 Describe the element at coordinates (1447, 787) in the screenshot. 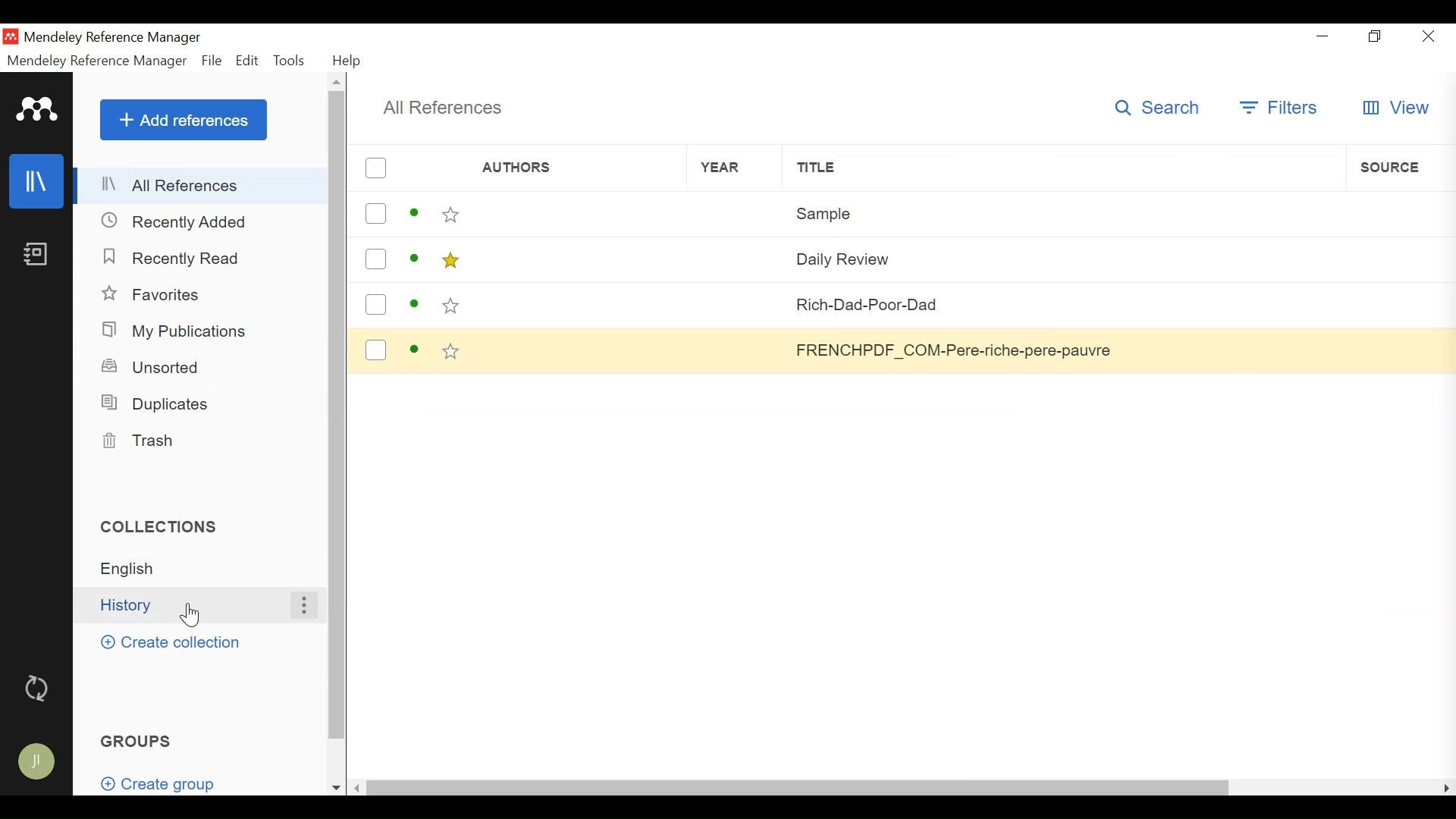

I see `Scroll Right` at that location.